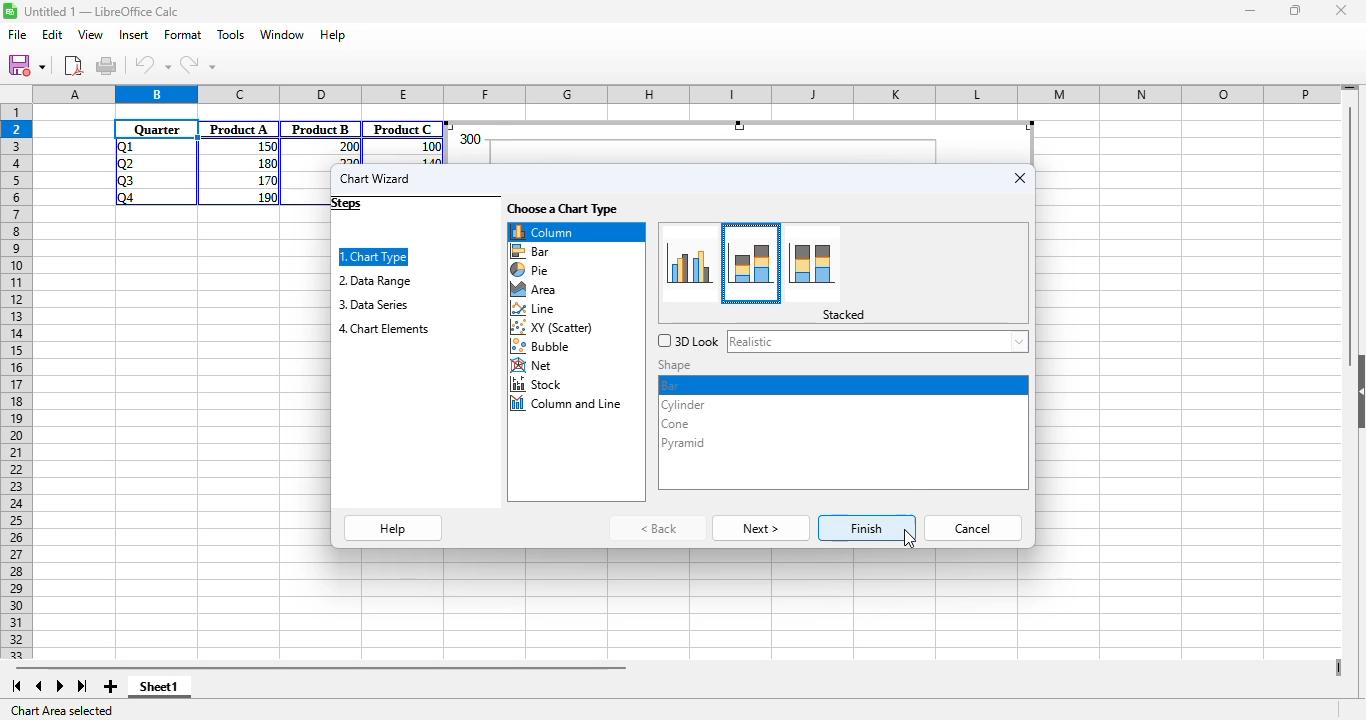  Describe the element at coordinates (660, 528) in the screenshot. I see `back` at that location.